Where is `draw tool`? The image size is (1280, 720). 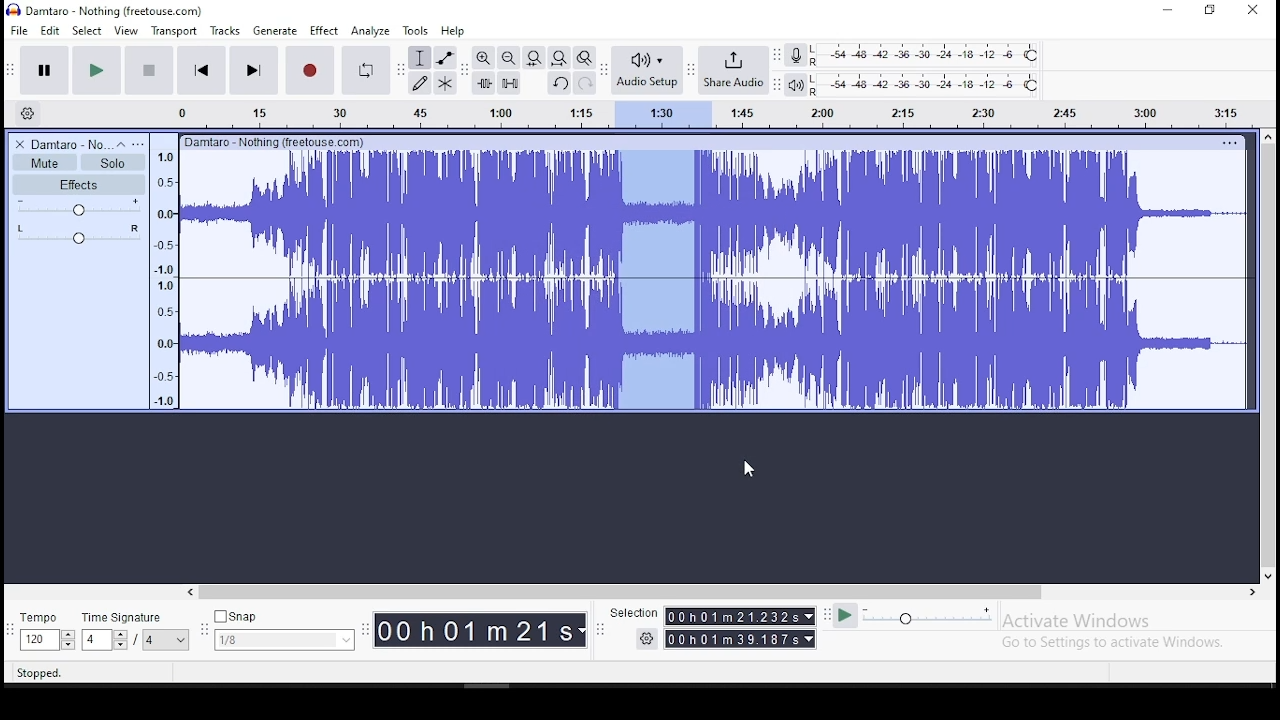 draw tool is located at coordinates (420, 83).